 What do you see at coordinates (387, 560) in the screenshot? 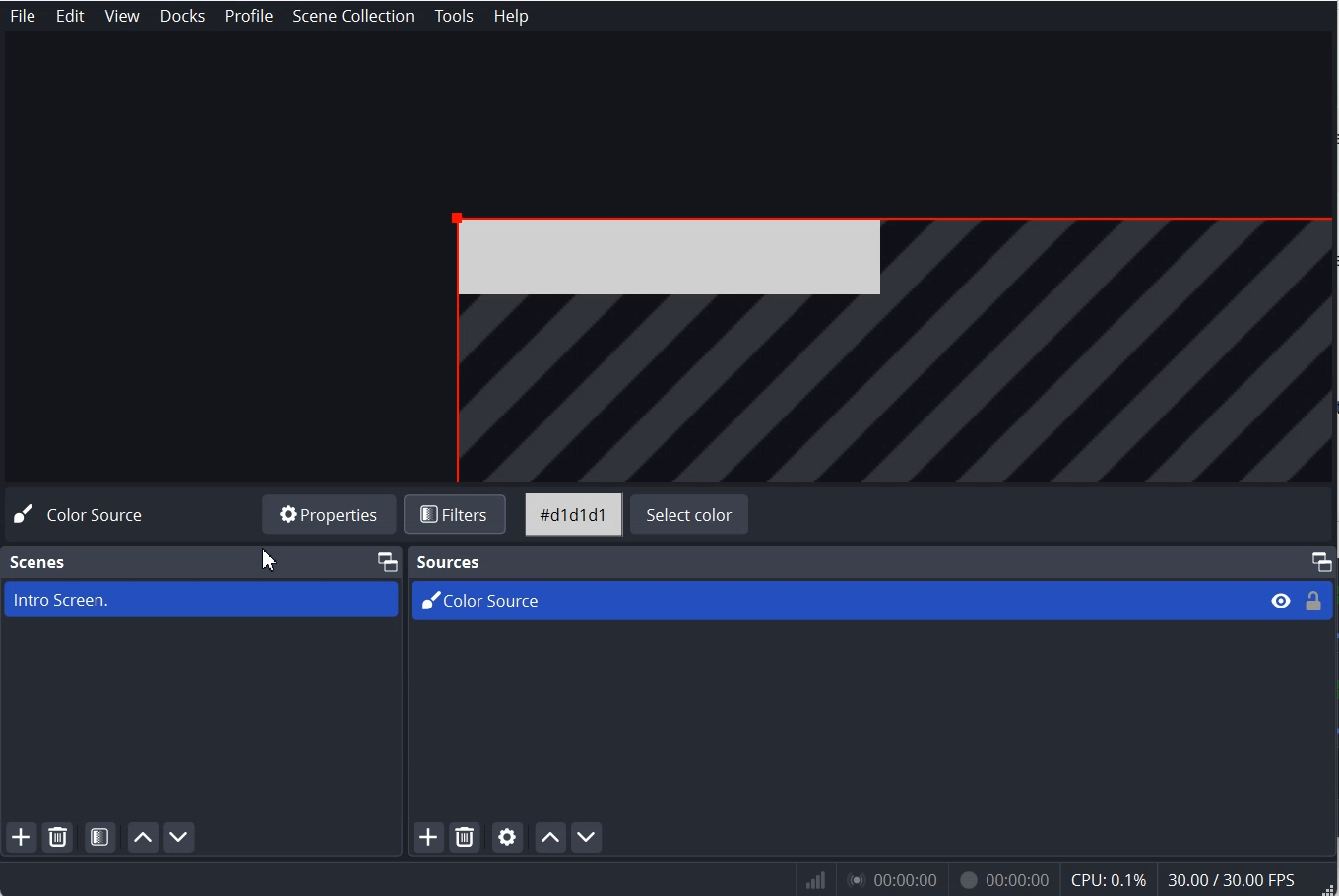
I see `Maximize` at bounding box center [387, 560].